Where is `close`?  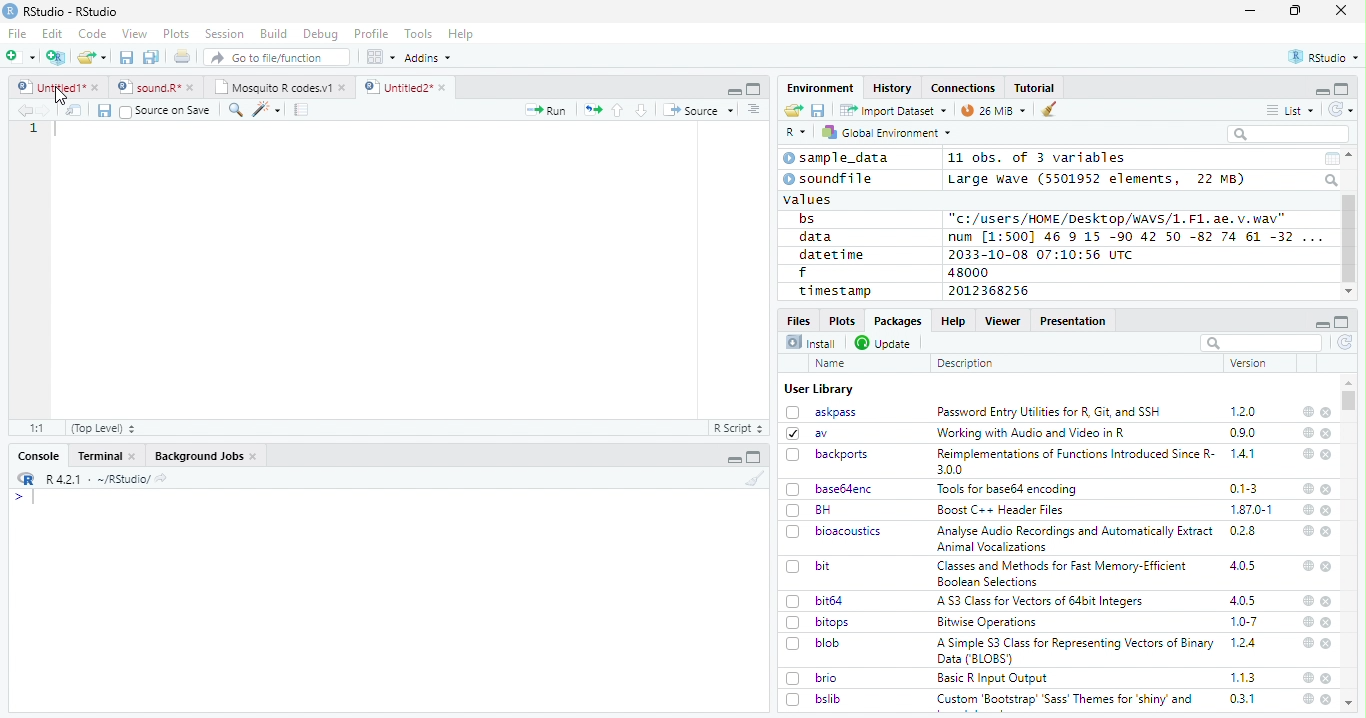 close is located at coordinates (1327, 566).